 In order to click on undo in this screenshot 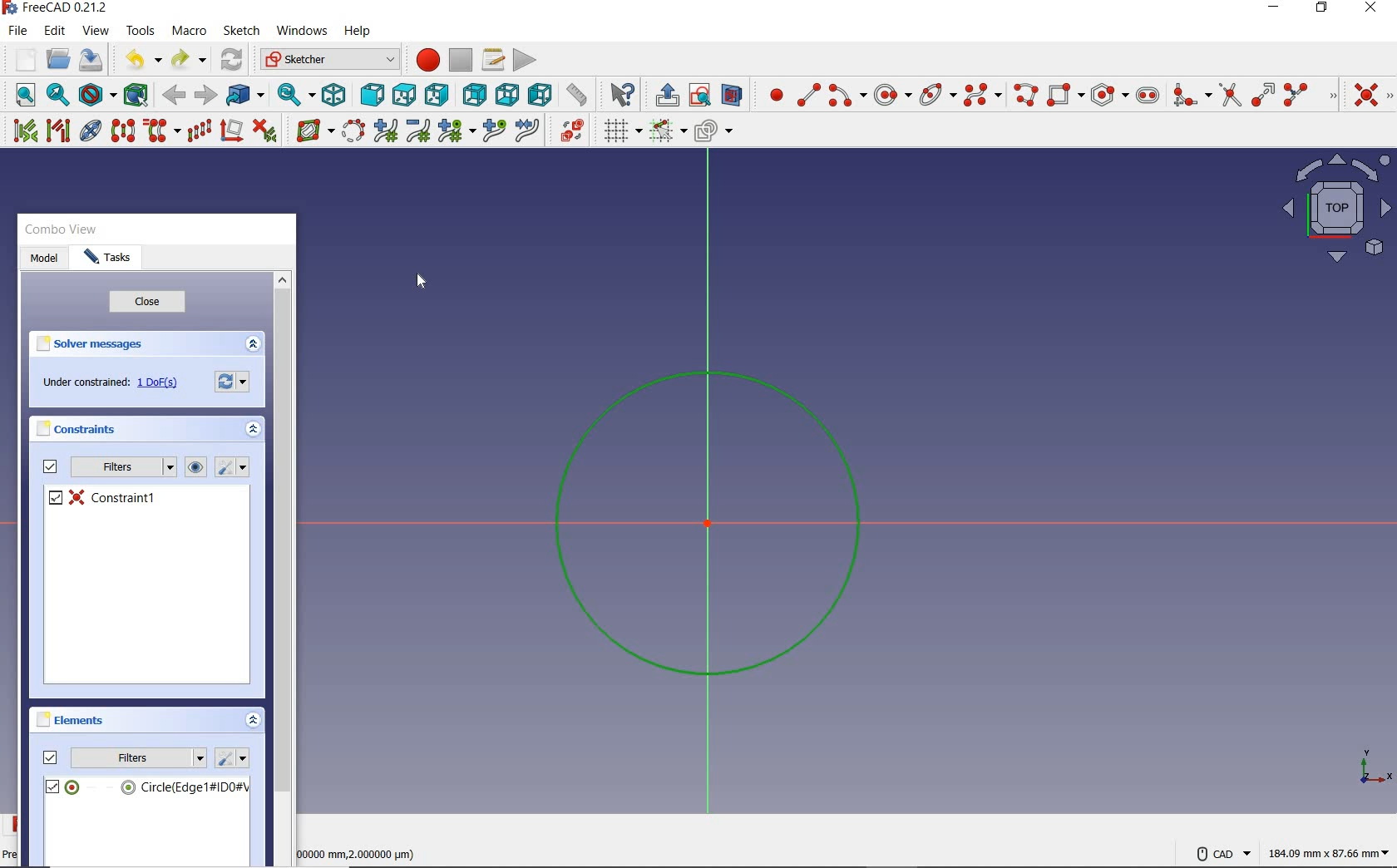, I will do `click(140, 60)`.